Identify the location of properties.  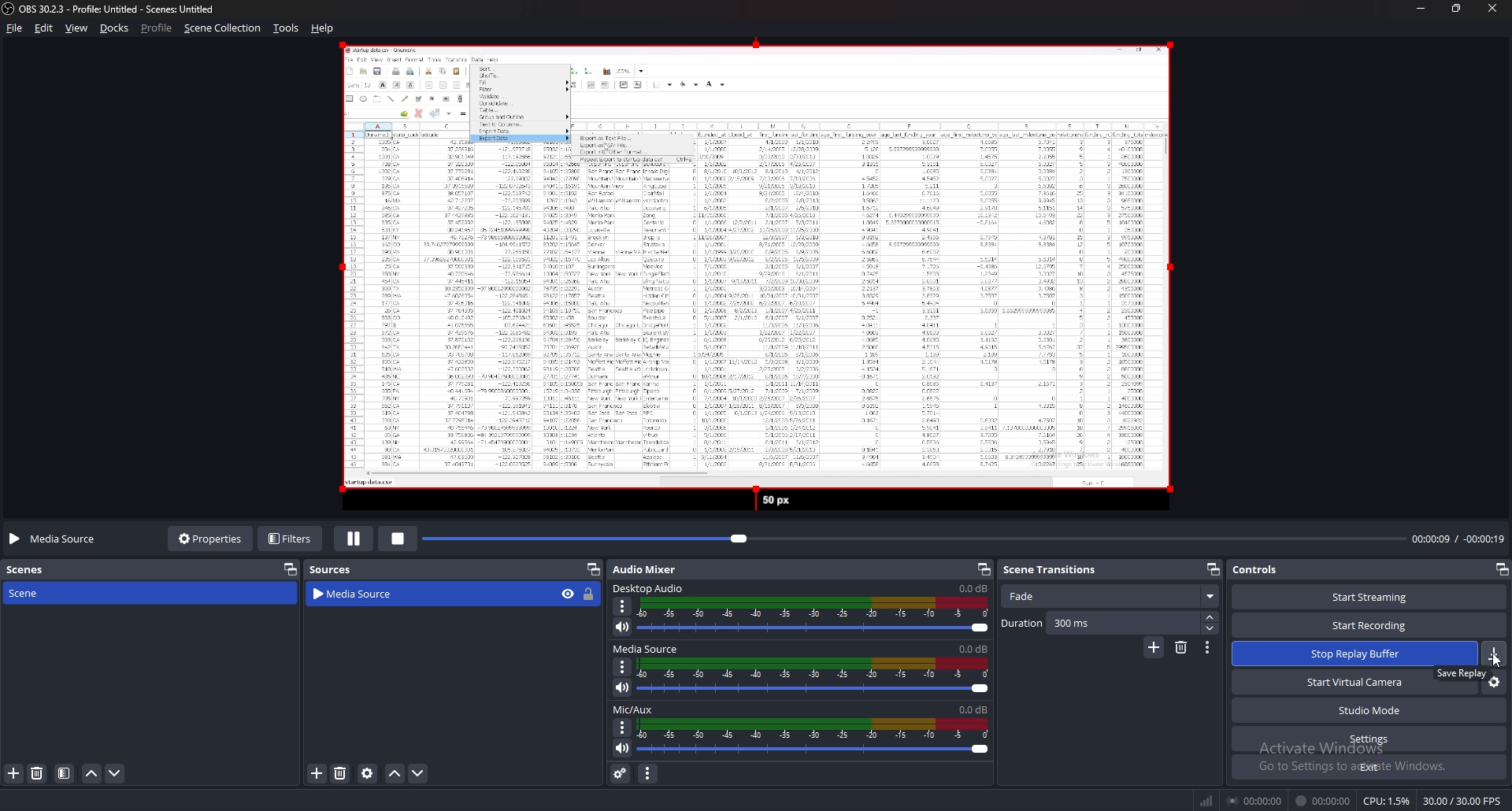
(208, 540).